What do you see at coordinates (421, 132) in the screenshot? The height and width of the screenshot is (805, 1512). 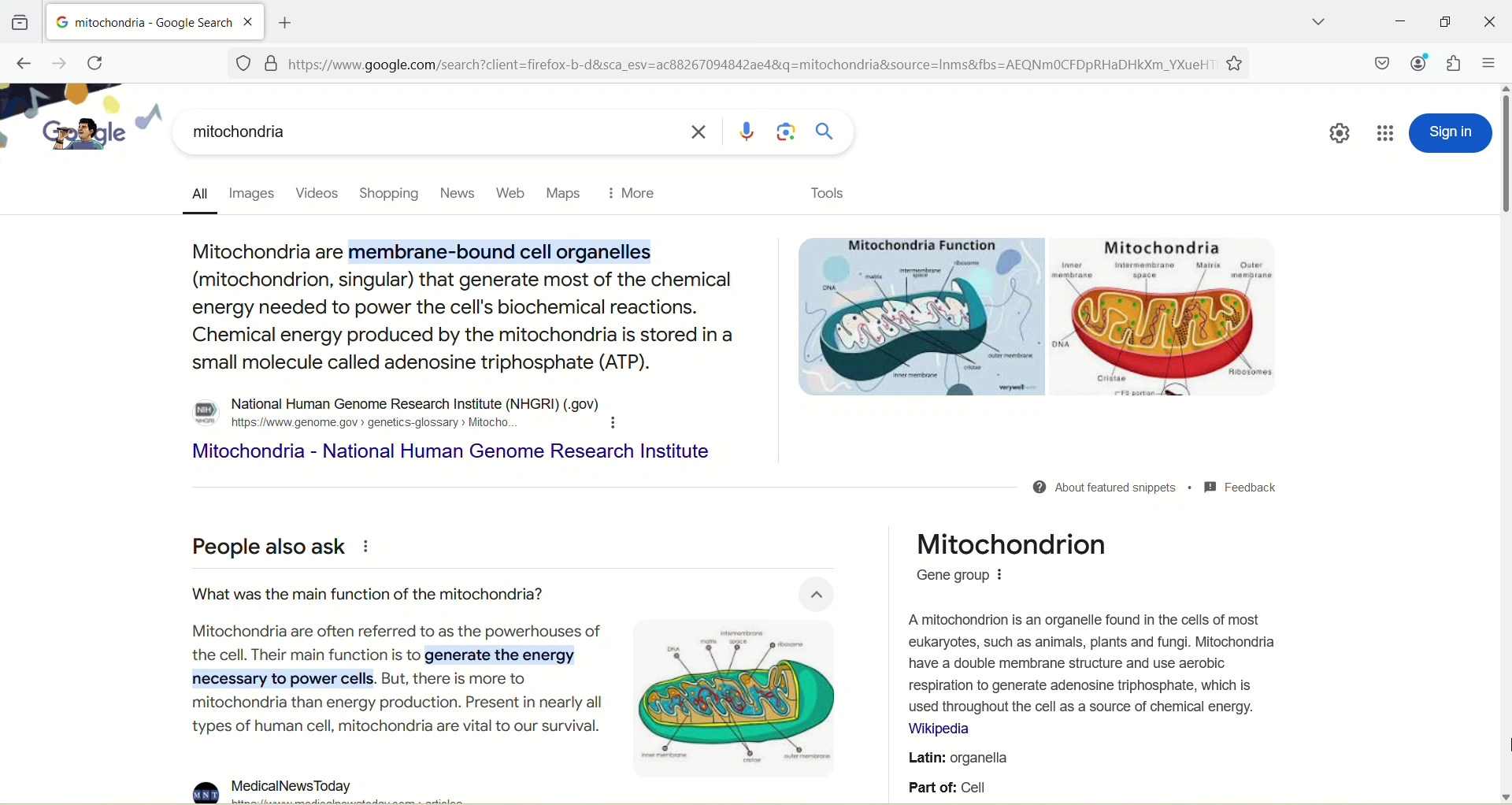 I see `mitochondria` at bounding box center [421, 132].